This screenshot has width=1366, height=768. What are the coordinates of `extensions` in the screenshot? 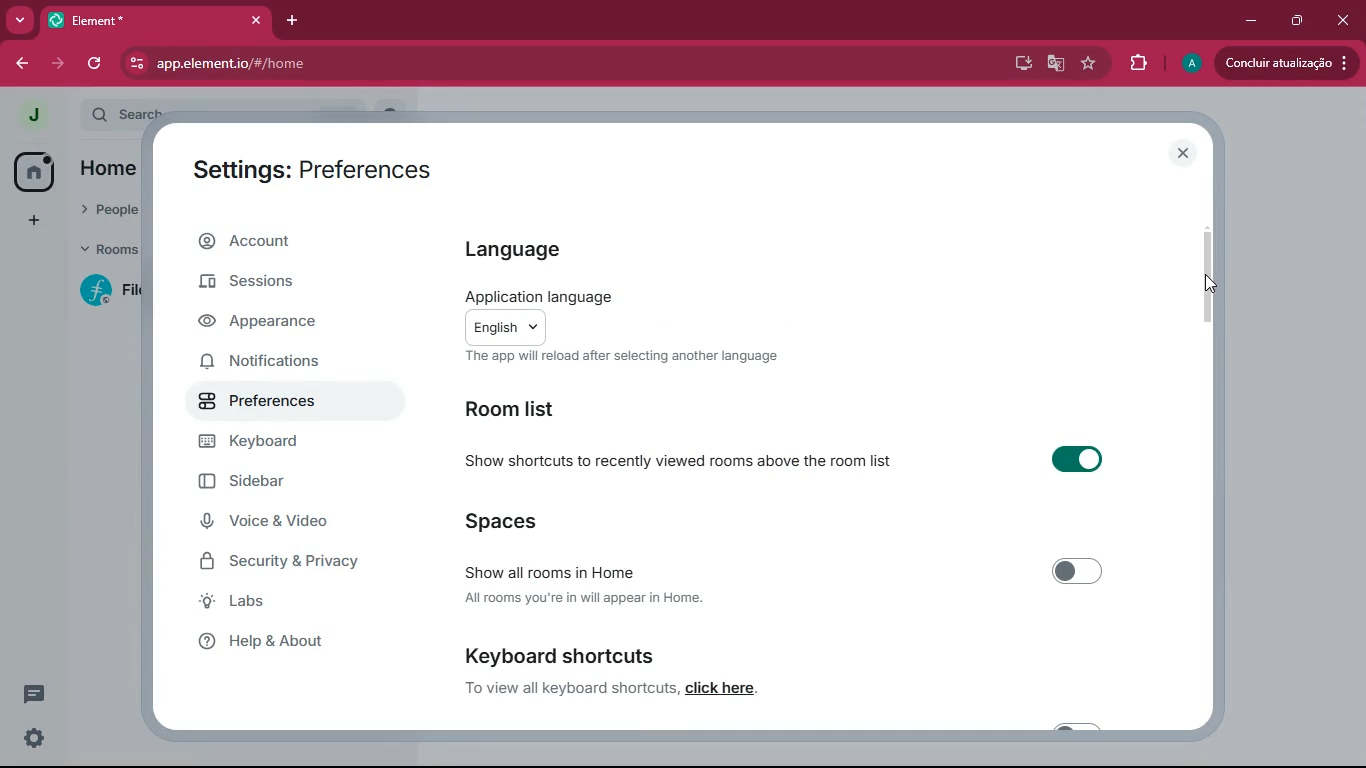 It's located at (1135, 64).